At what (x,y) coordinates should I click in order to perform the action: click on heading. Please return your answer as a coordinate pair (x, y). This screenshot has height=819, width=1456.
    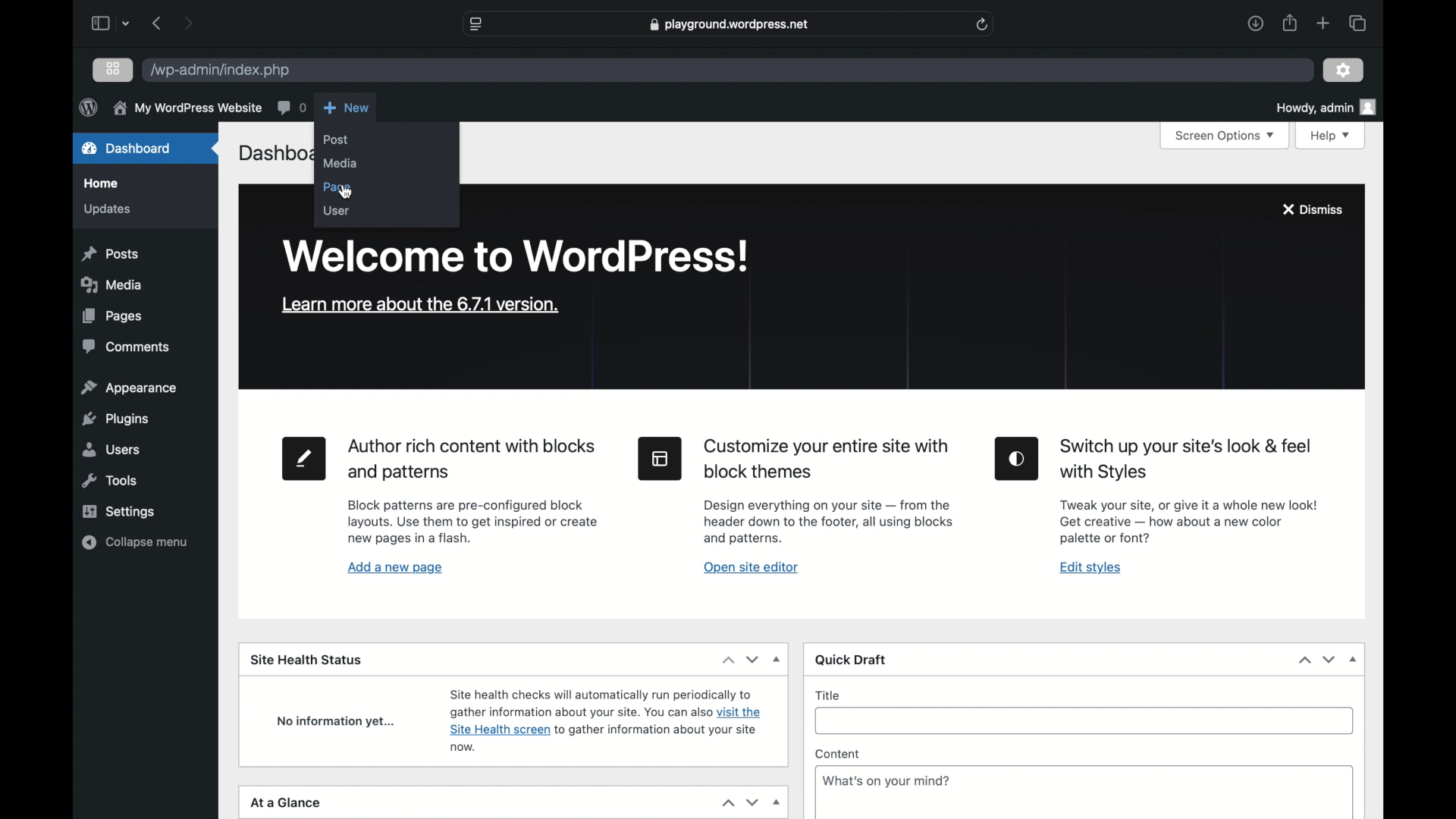
    Looking at the image, I should click on (827, 459).